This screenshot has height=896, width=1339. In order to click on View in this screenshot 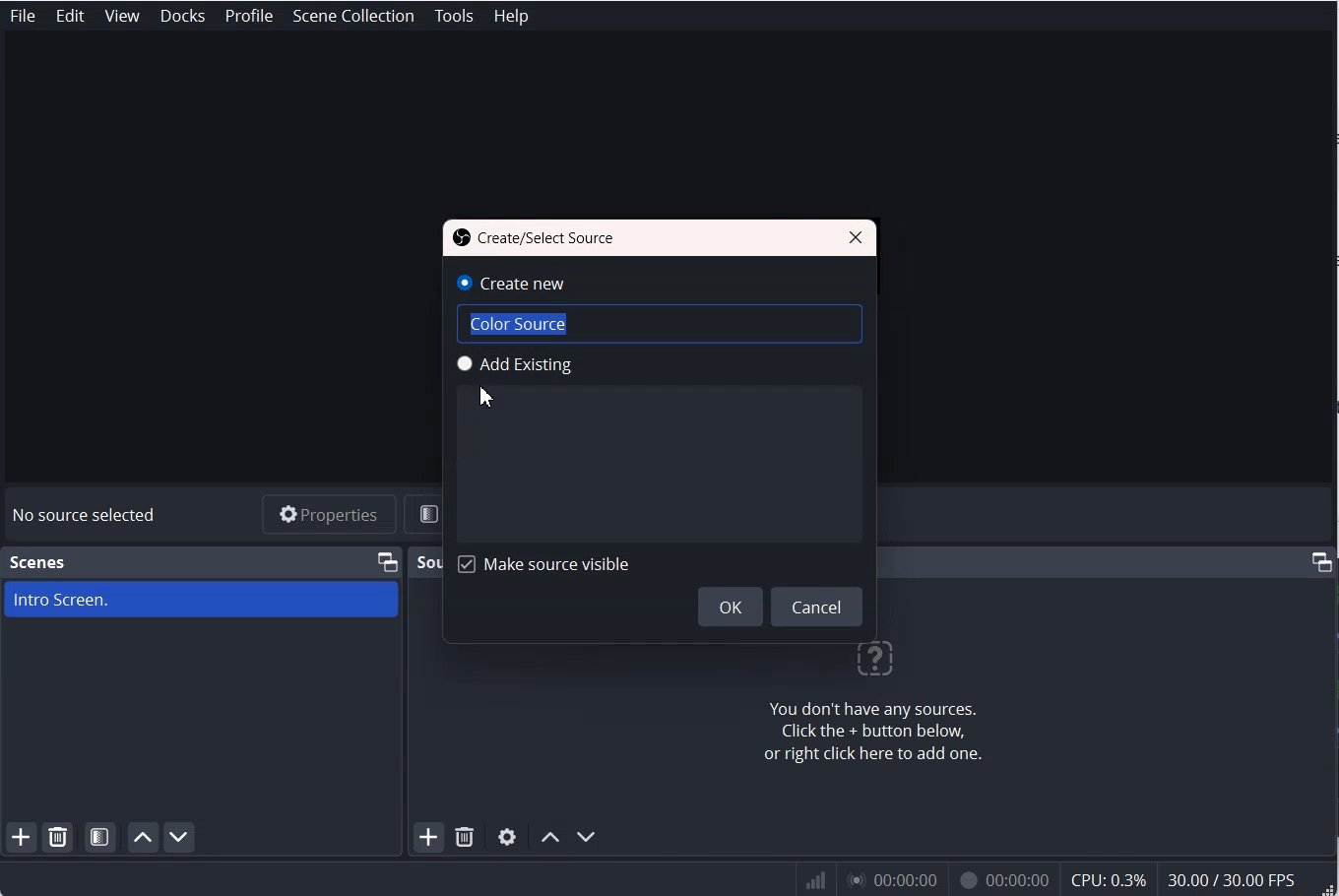, I will do `click(123, 16)`.